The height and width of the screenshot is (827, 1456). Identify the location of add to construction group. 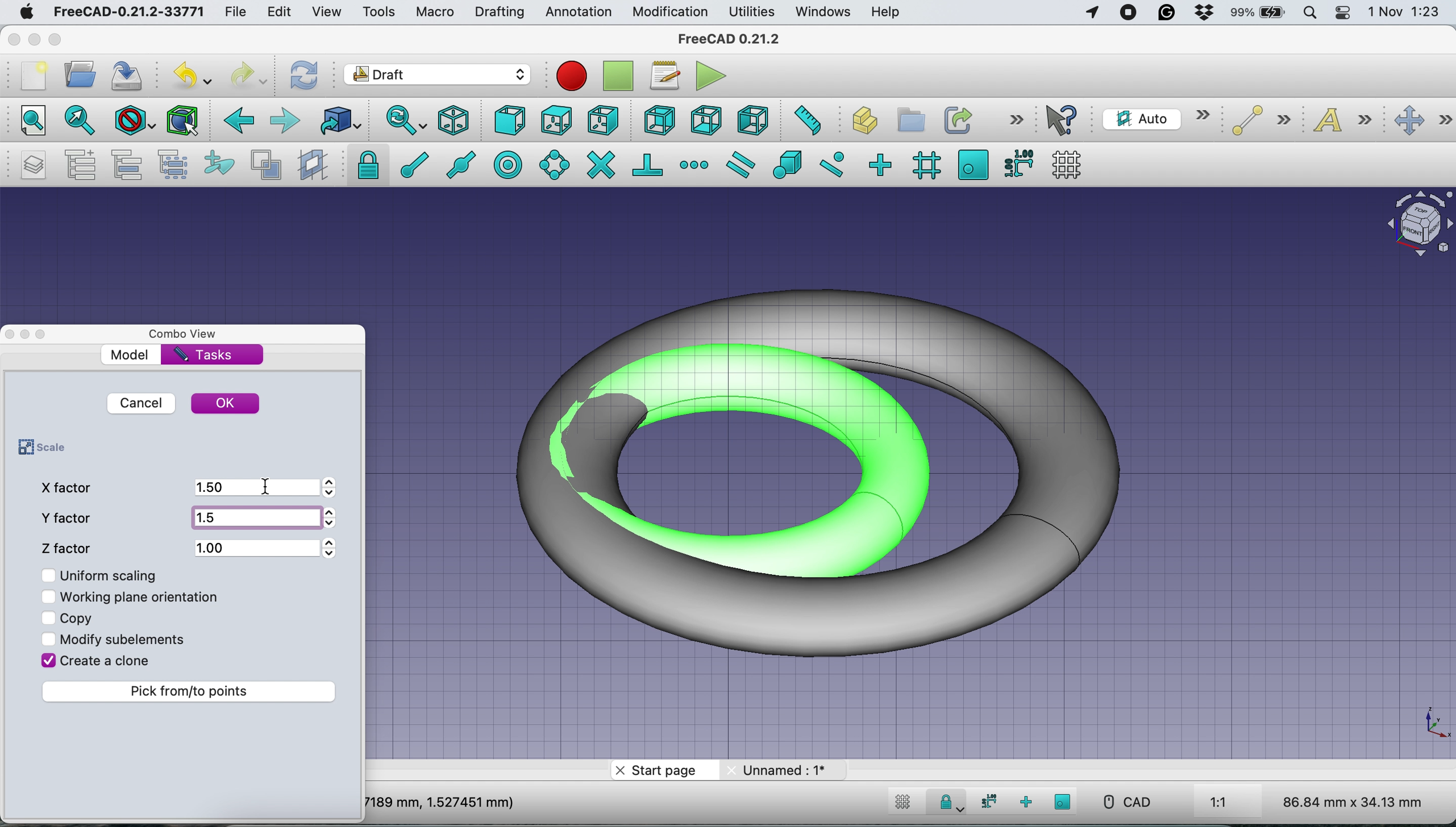
(215, 165).